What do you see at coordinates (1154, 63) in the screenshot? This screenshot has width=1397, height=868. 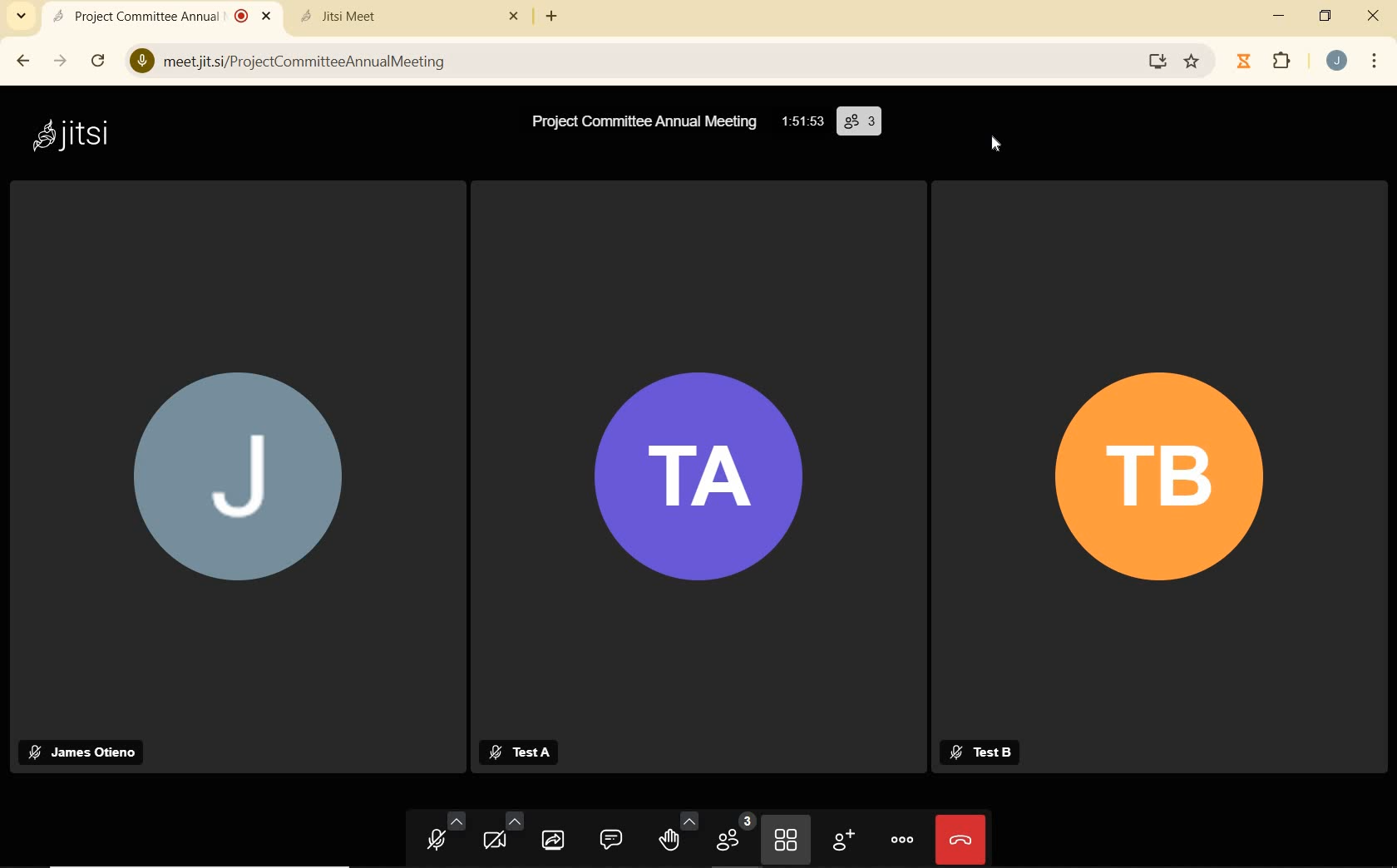 I see `Install Google Meet` at bounding box center [1154, 63].